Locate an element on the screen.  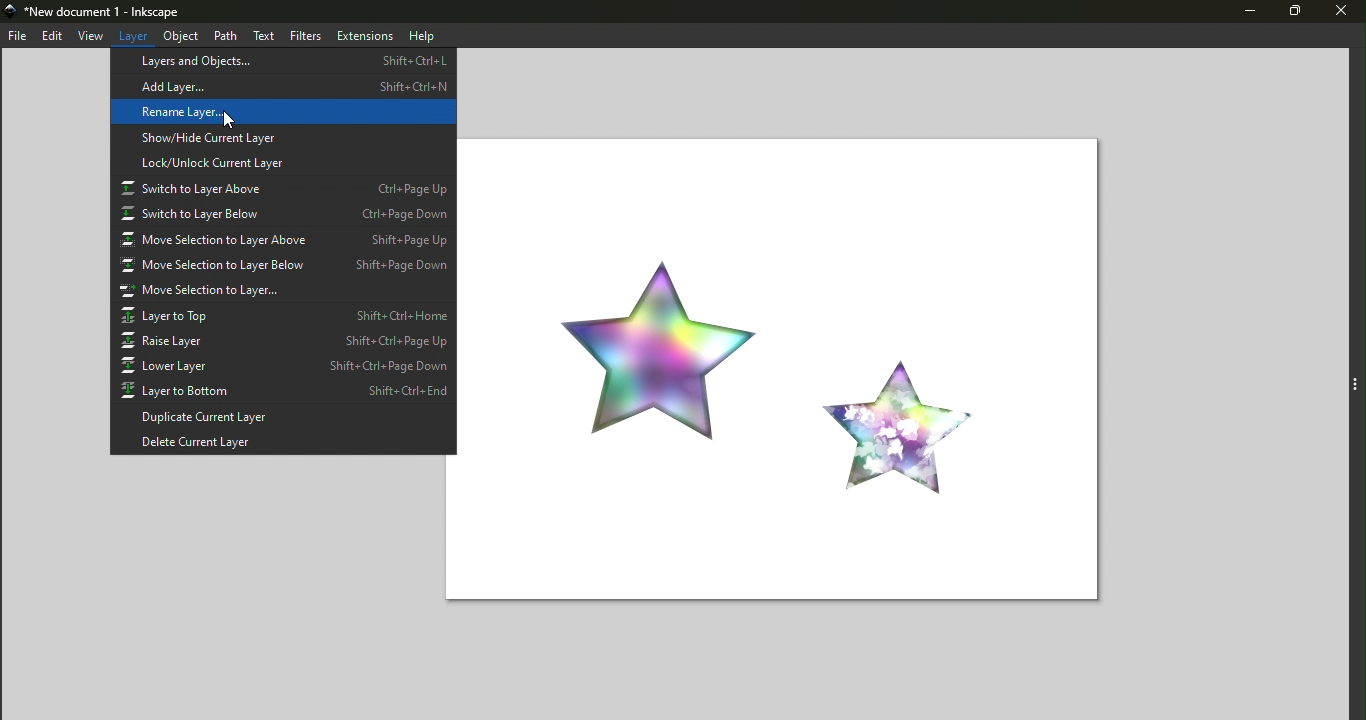
maximize is located at coordinates (1301, 14).